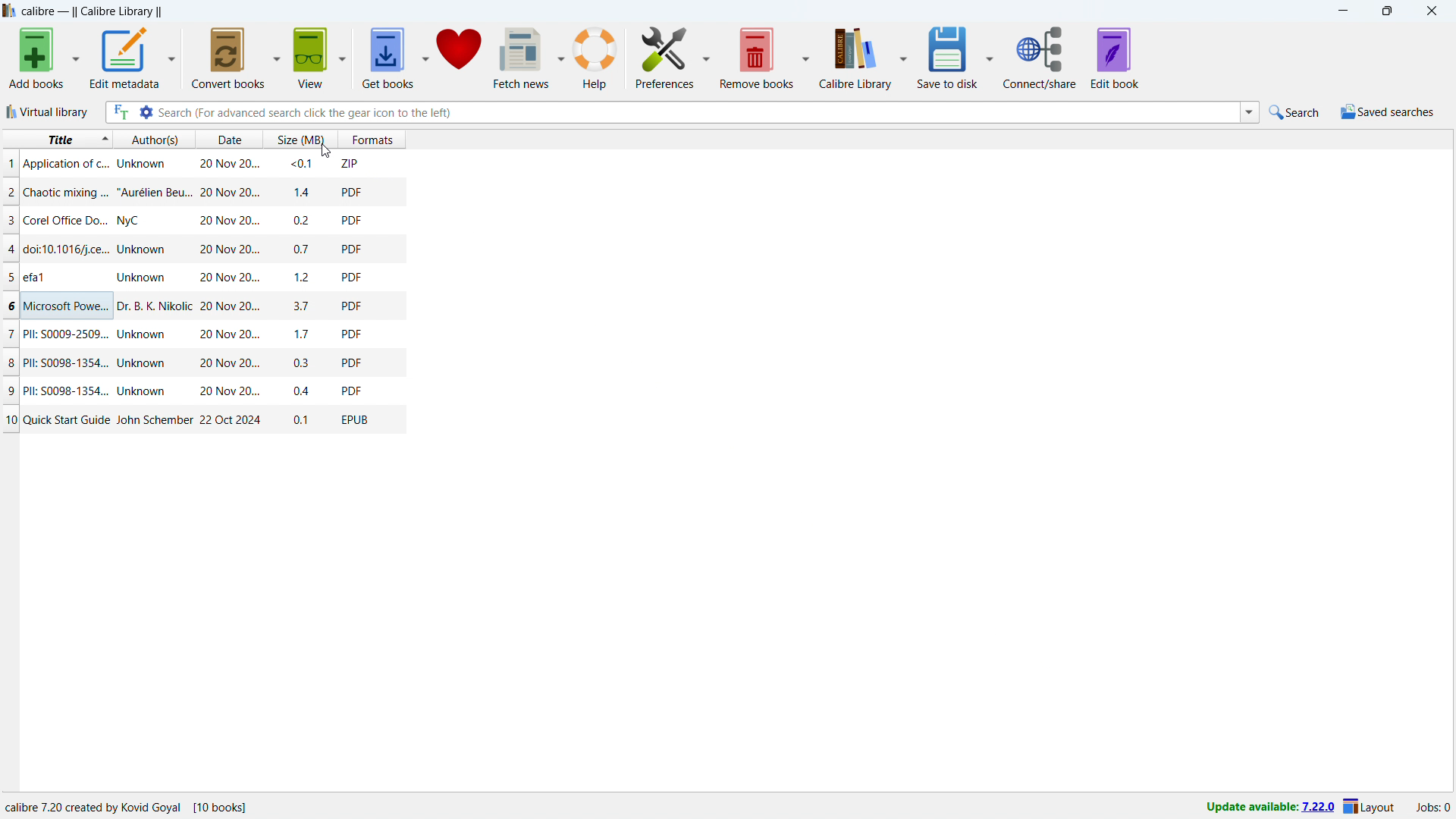 The width and height of the screenshot is (1456, 819). I want to click on close, so click(1432, 11).